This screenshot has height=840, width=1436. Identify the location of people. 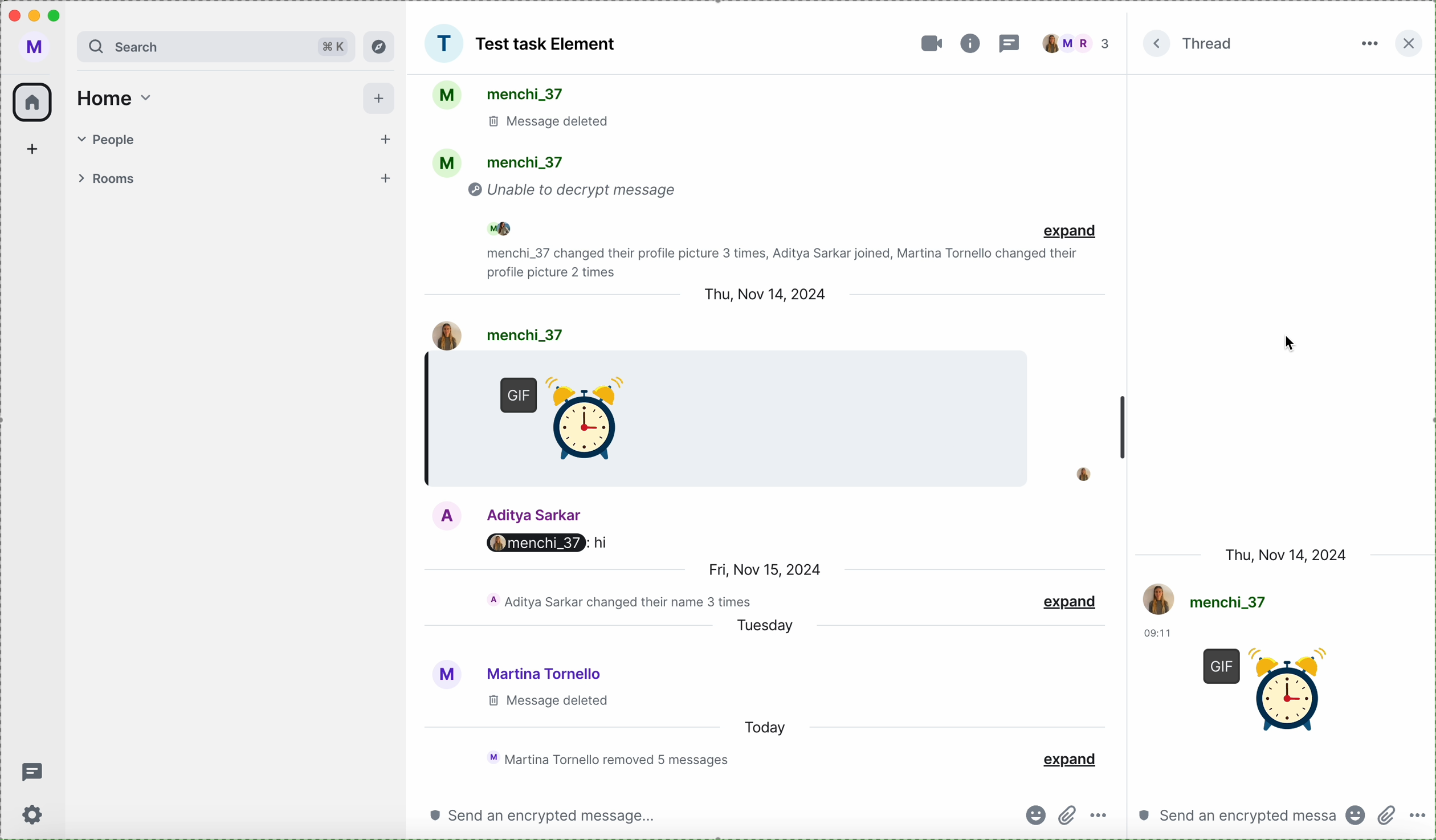
(1079, 44).